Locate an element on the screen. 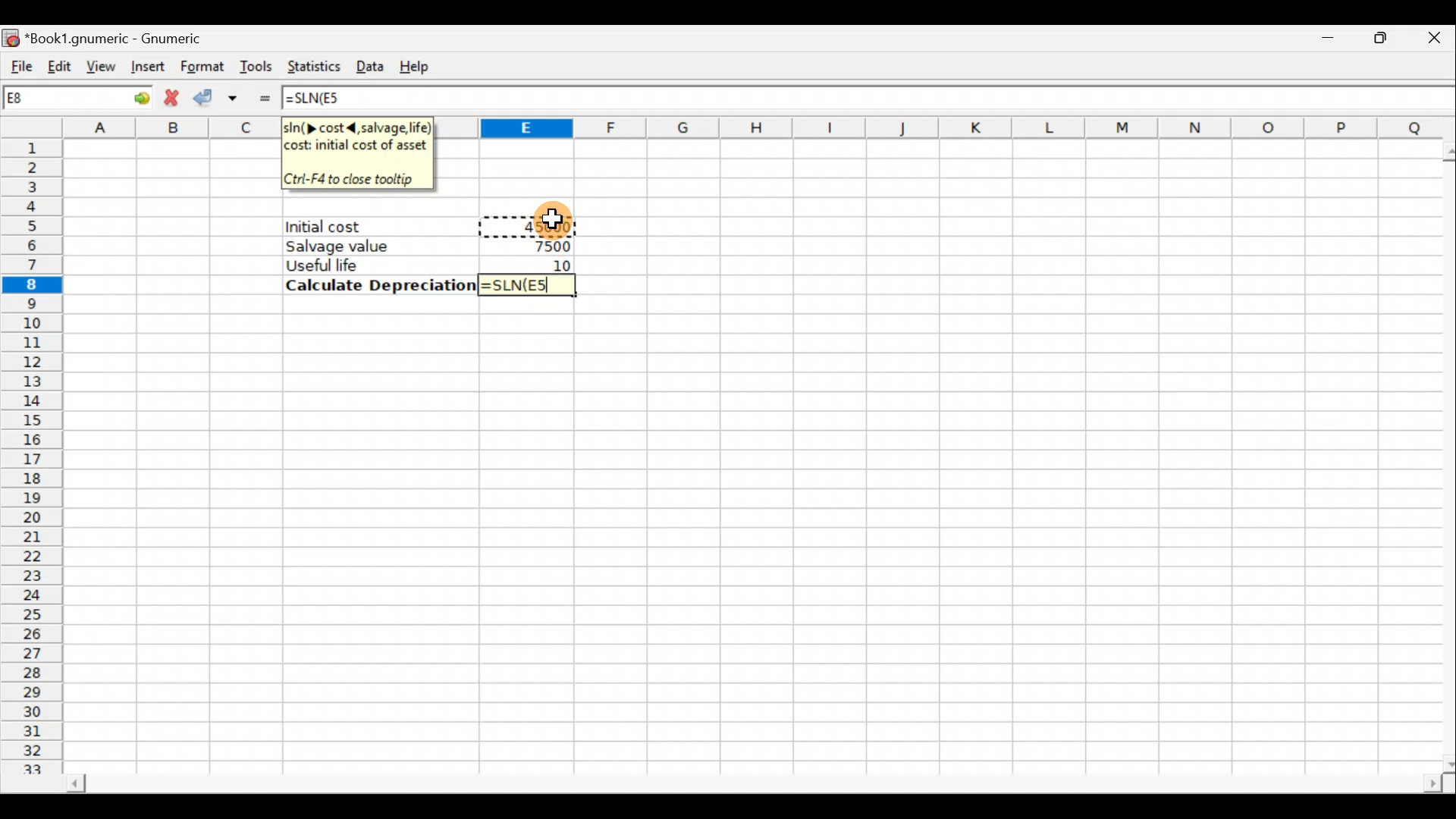 This screenshot has width=1456, height=819. Cursor on cell E5 is located at coordinates (558, 214).